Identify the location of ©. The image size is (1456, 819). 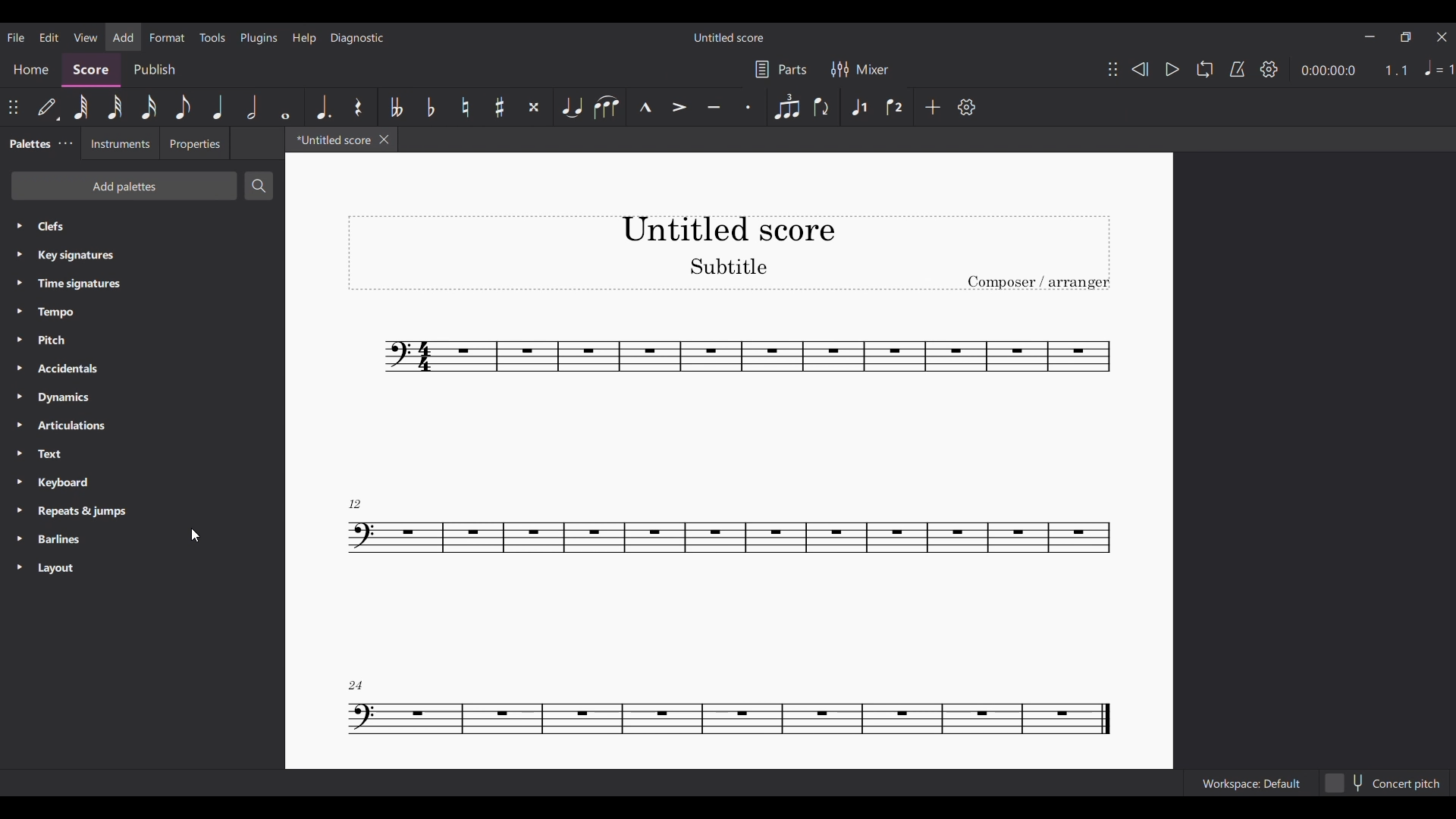
(288, 106).